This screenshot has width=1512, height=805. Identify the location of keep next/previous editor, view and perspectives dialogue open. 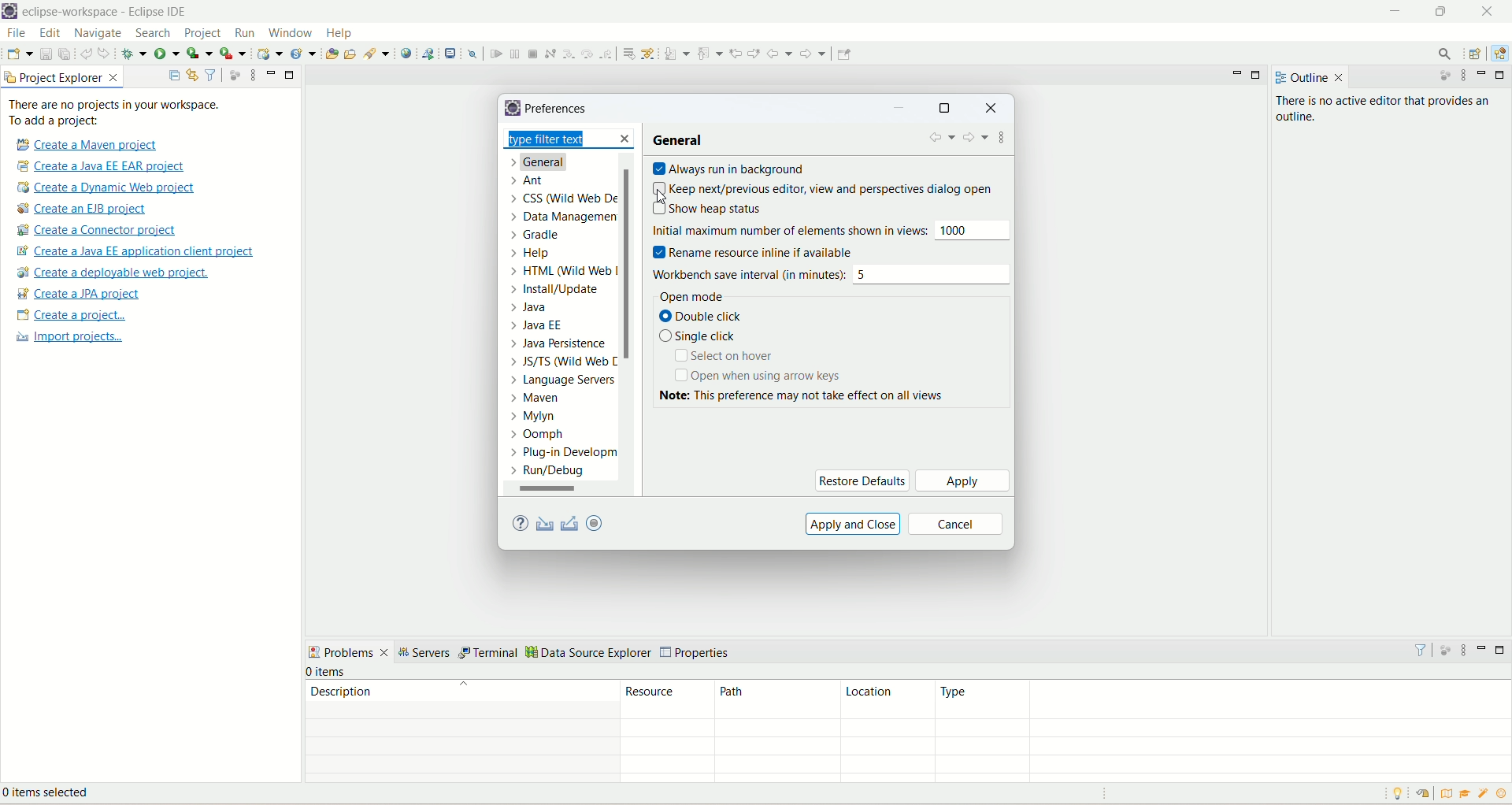
(821, 187).